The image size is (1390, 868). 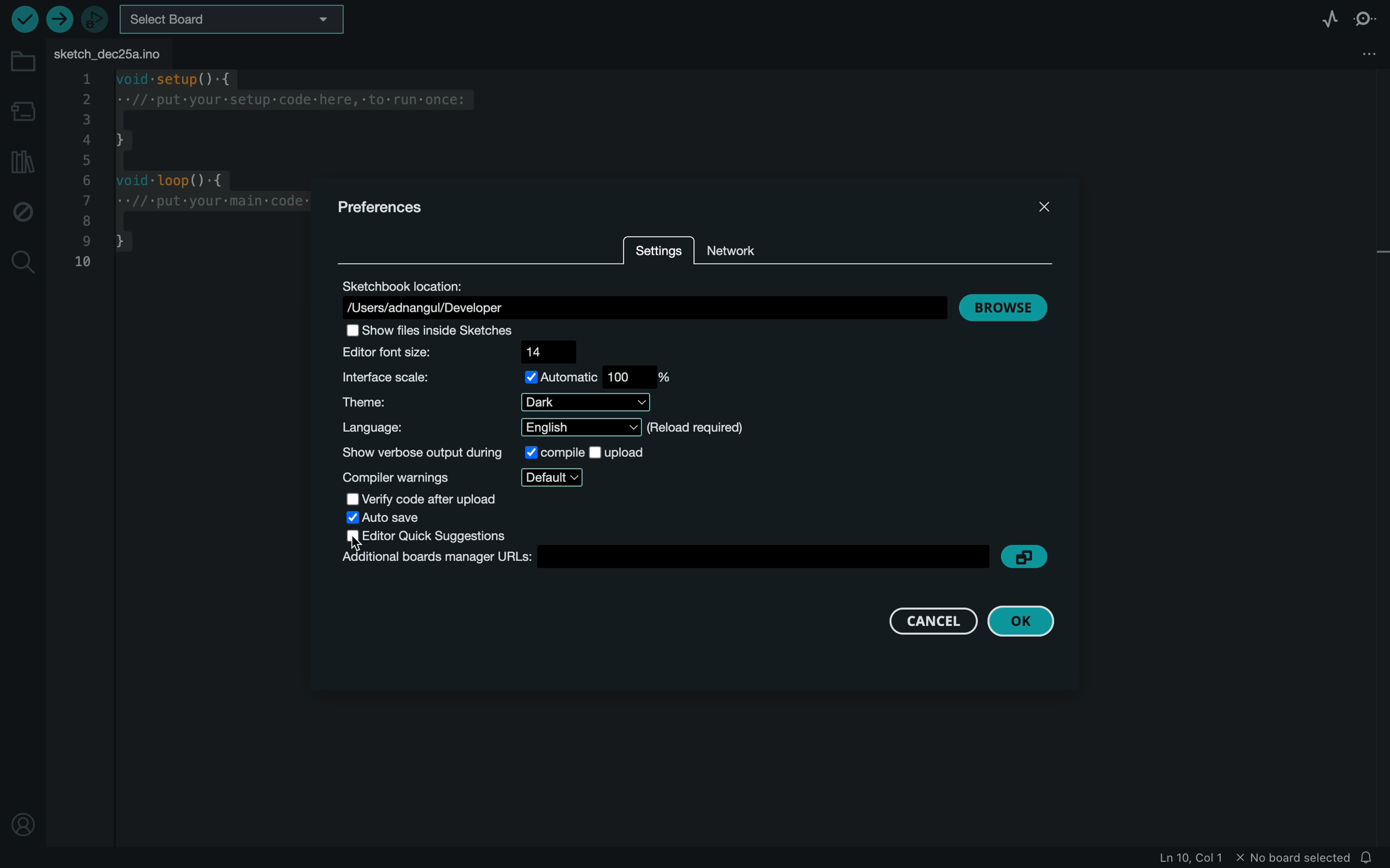 What do you see at coordinates (491, 403) in the screenshot?
I see `theme` at bounding box center [491, 403].